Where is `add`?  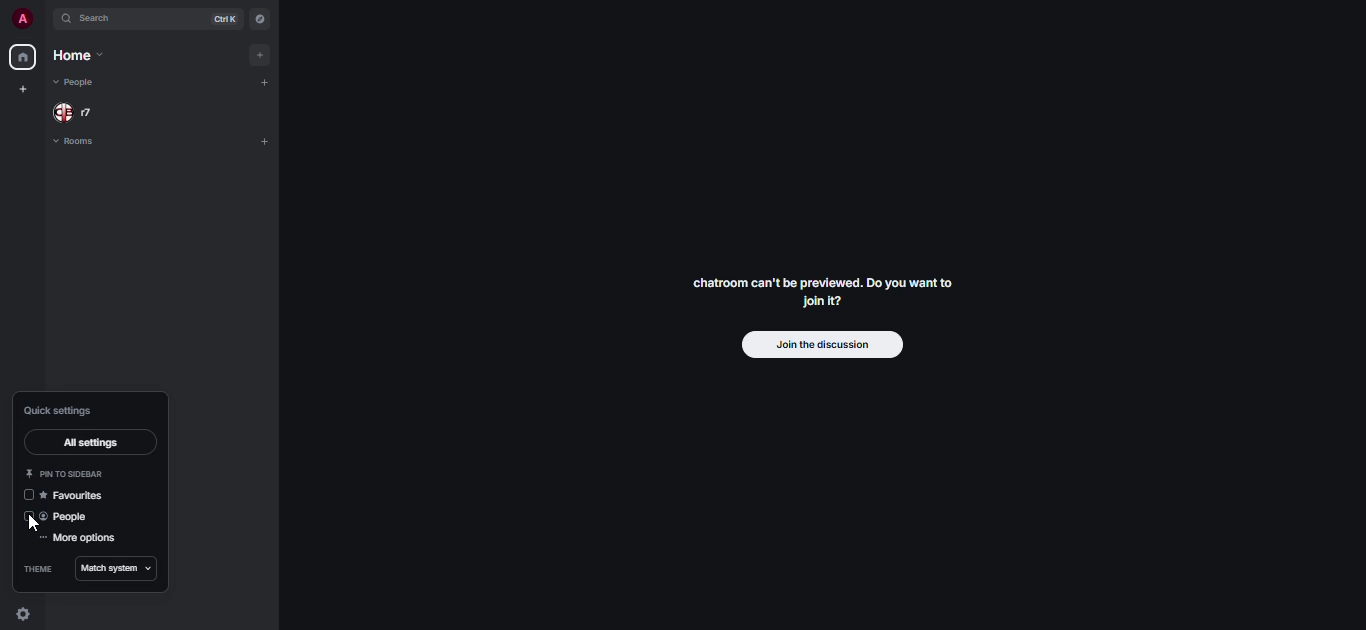 add is located at coordinates (271, 84).